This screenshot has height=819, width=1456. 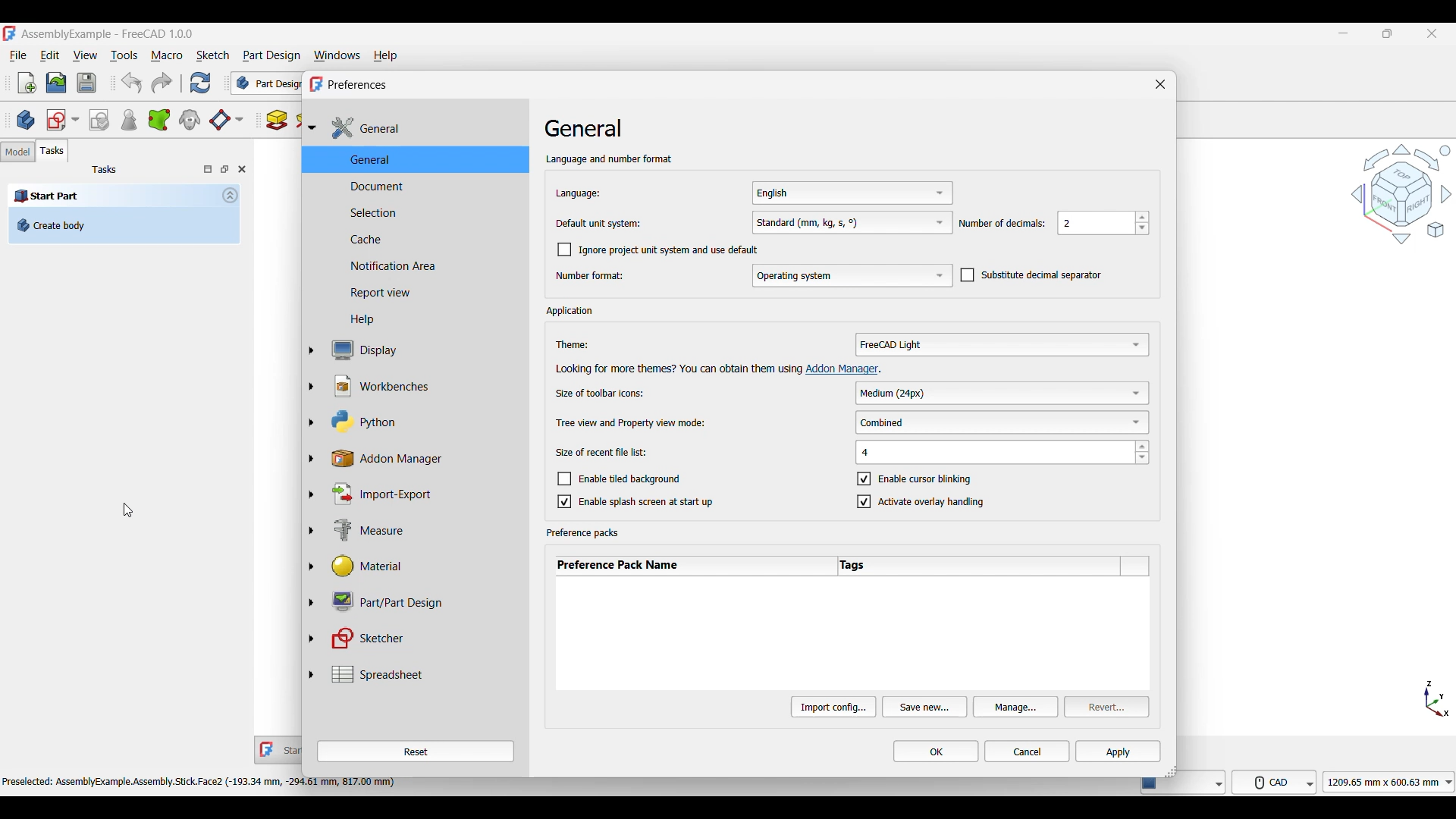 I want to click on Apply, so click(x=1119, y=751).